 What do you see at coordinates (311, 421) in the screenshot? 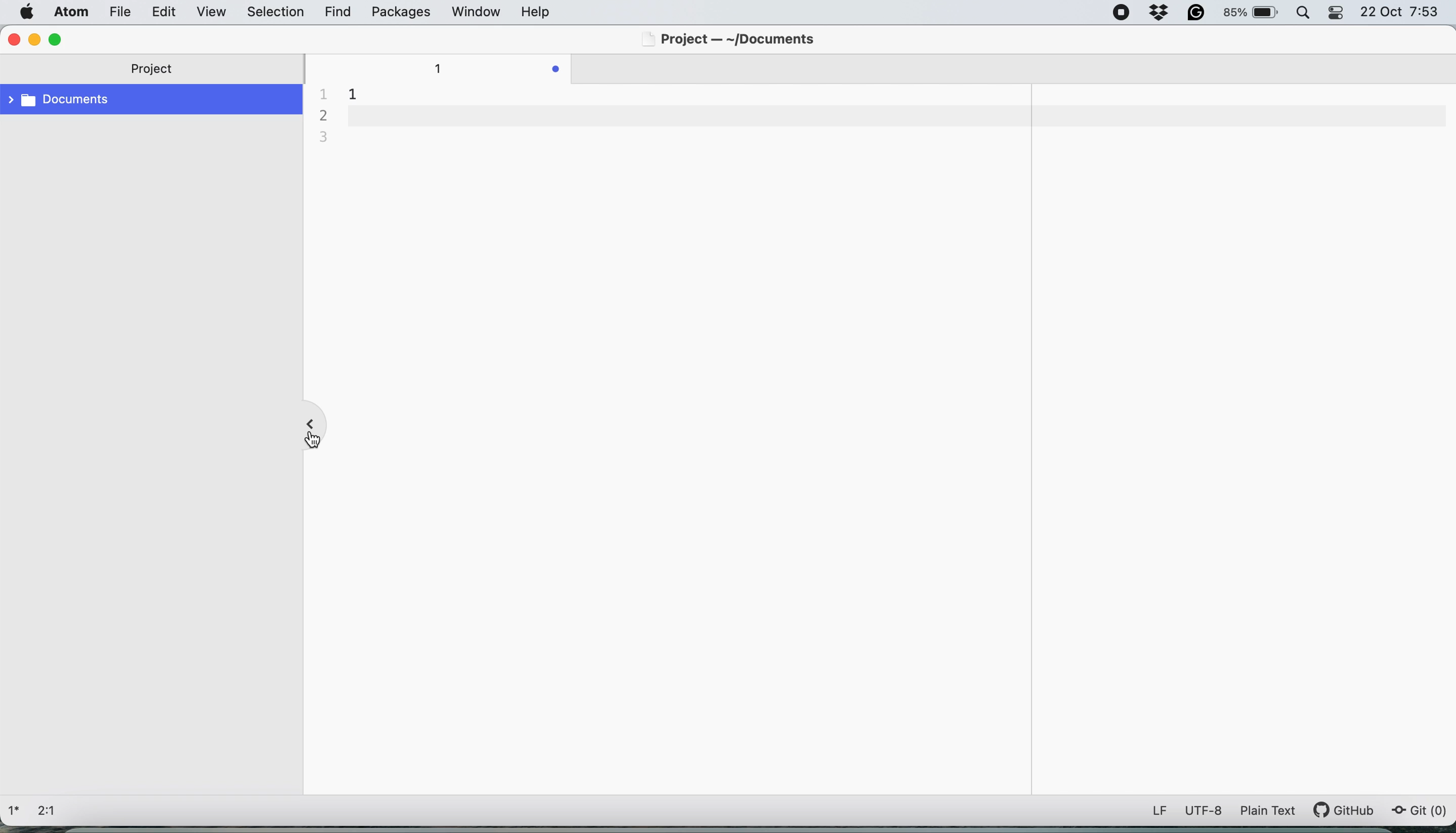
I see `collapse/expand` at bounding box center [311, 421].